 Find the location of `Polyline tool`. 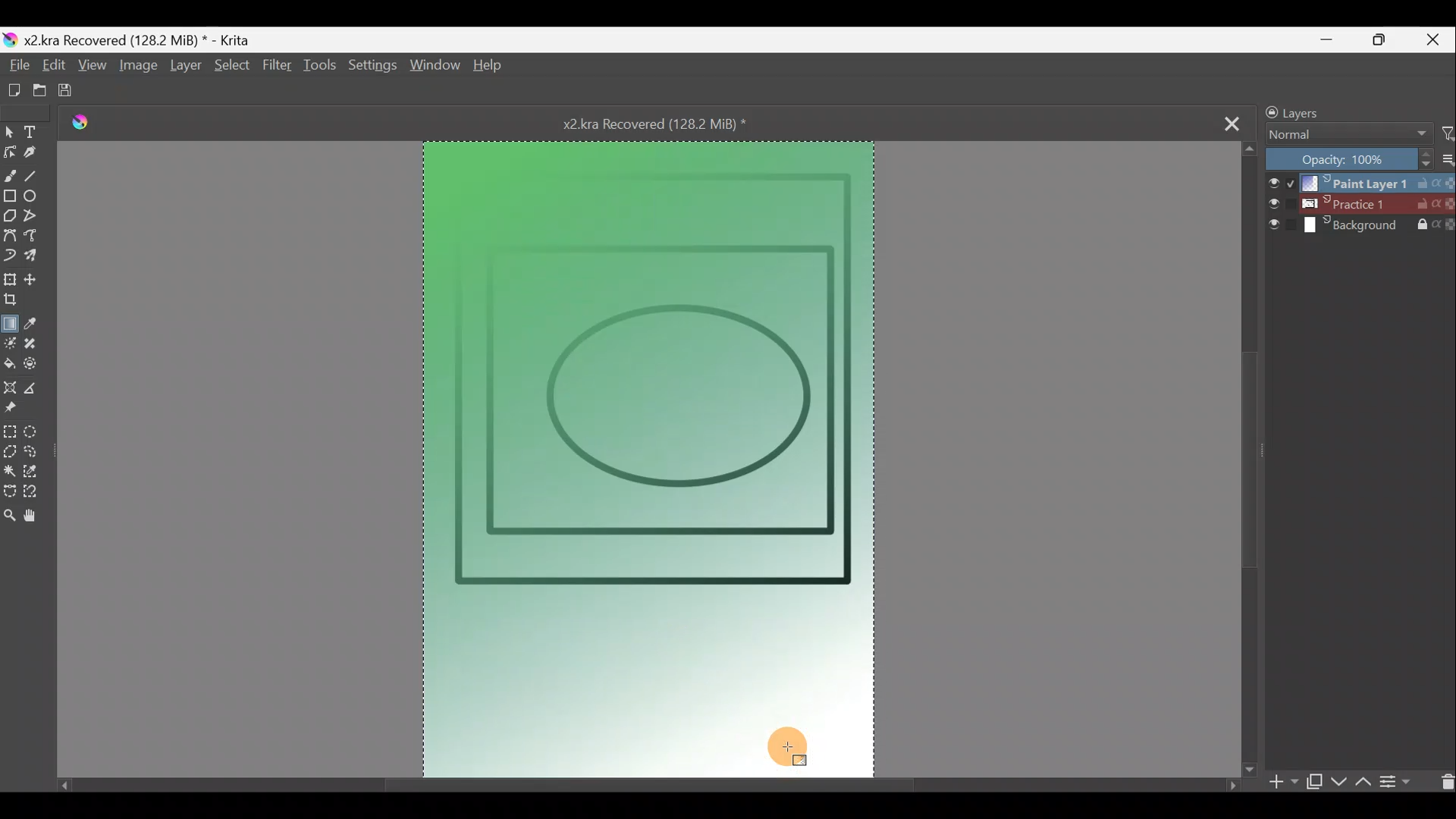

Polyline tool is located at coordinates (37, 218).